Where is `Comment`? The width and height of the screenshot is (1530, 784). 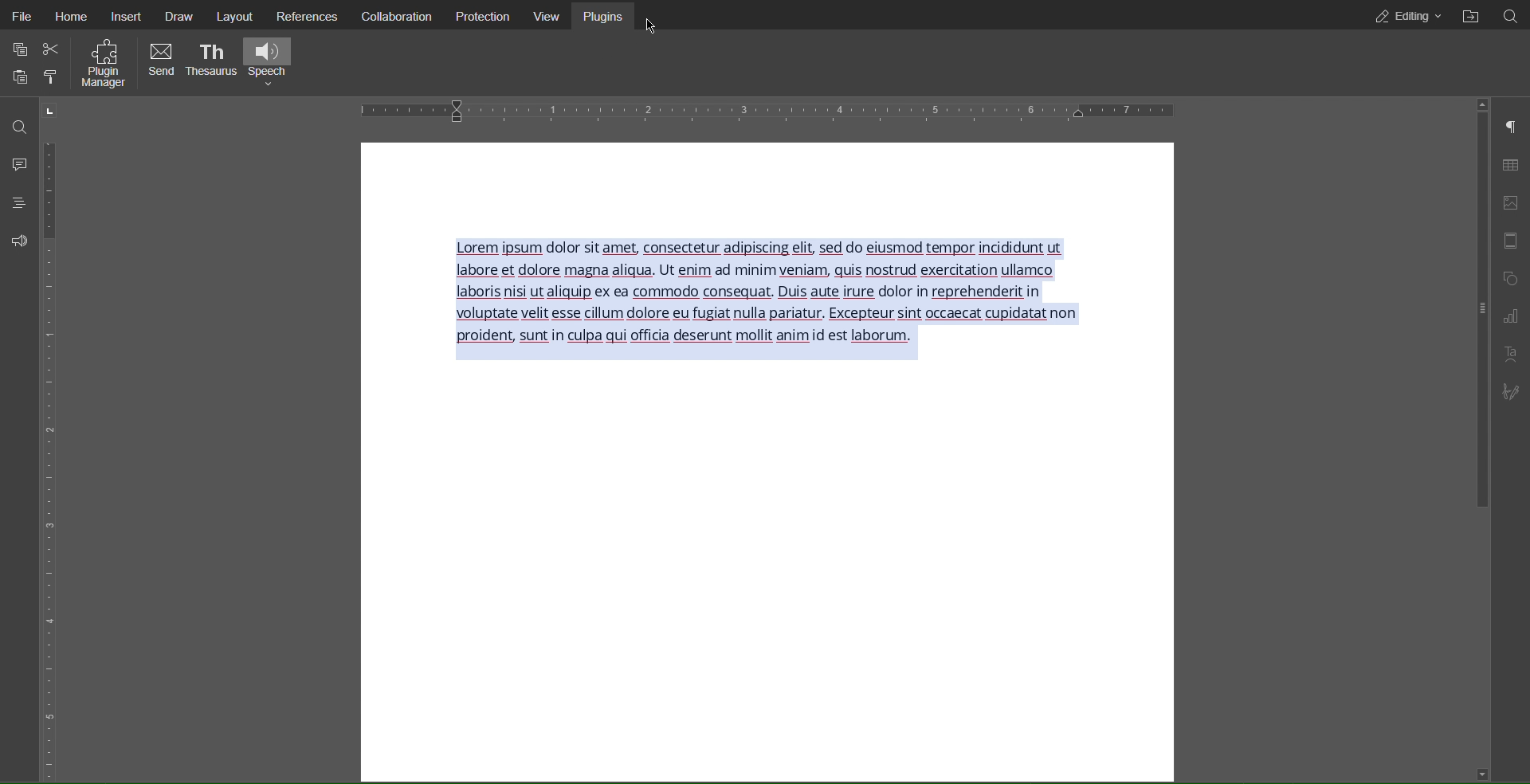
Comment is located at coordinates (15, 163).